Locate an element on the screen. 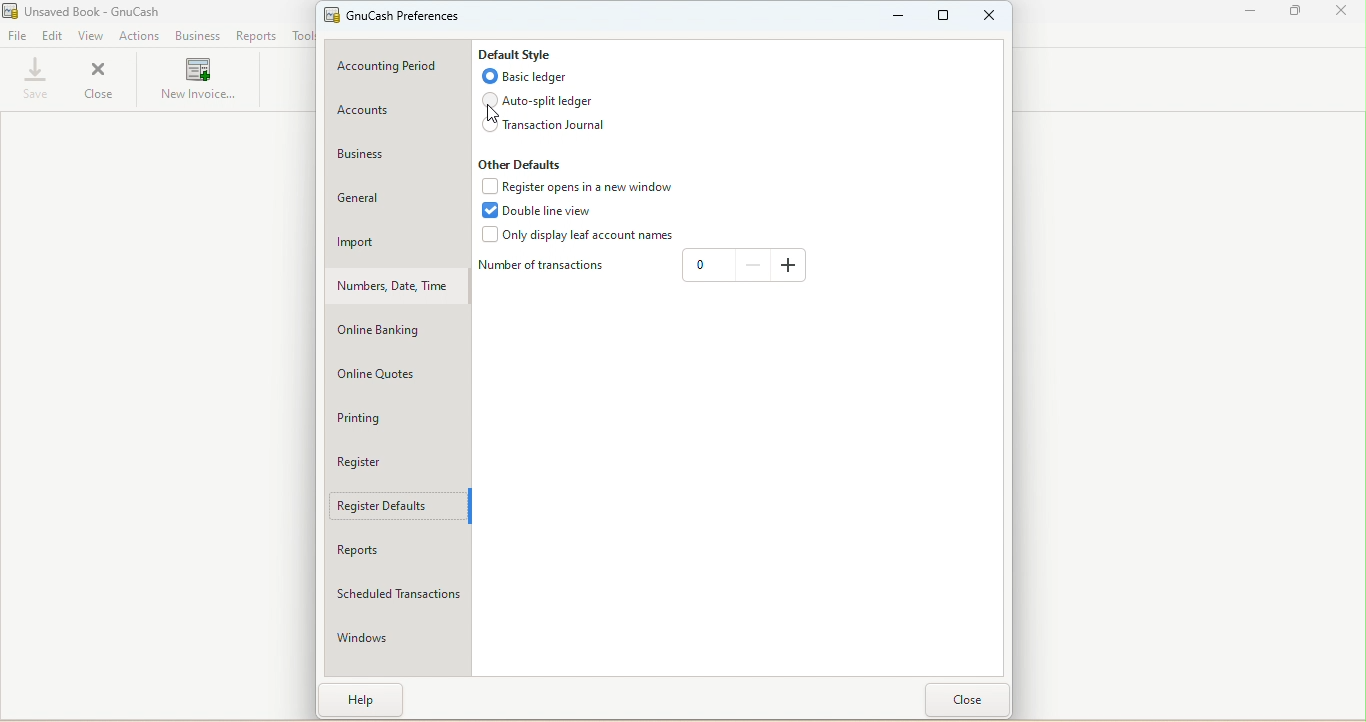 The height and width of the screenshot is (722, 1366). Accounts is located at coordinates (403, 109).